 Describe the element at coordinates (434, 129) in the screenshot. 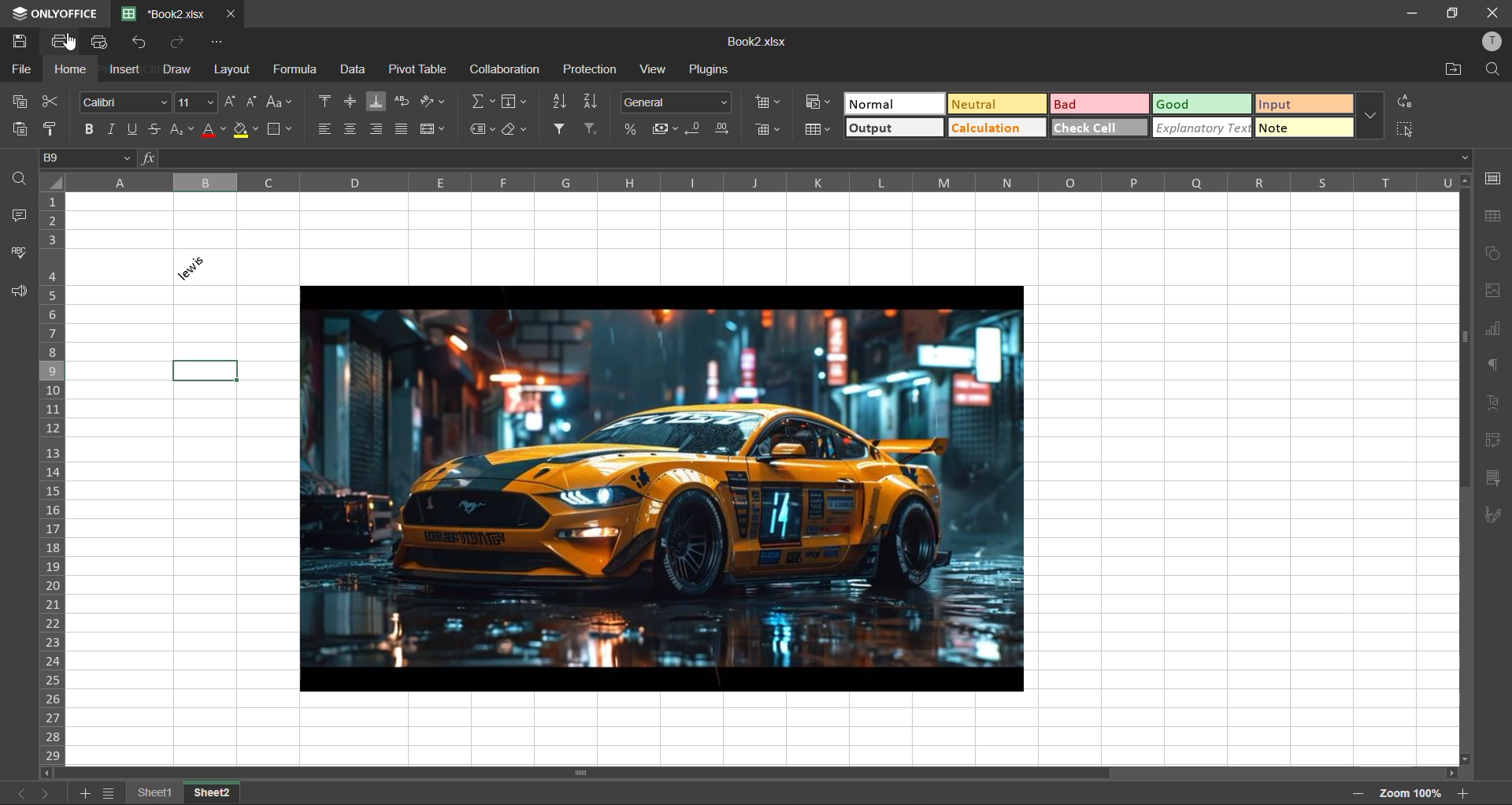

I see `merge and center` at that location.